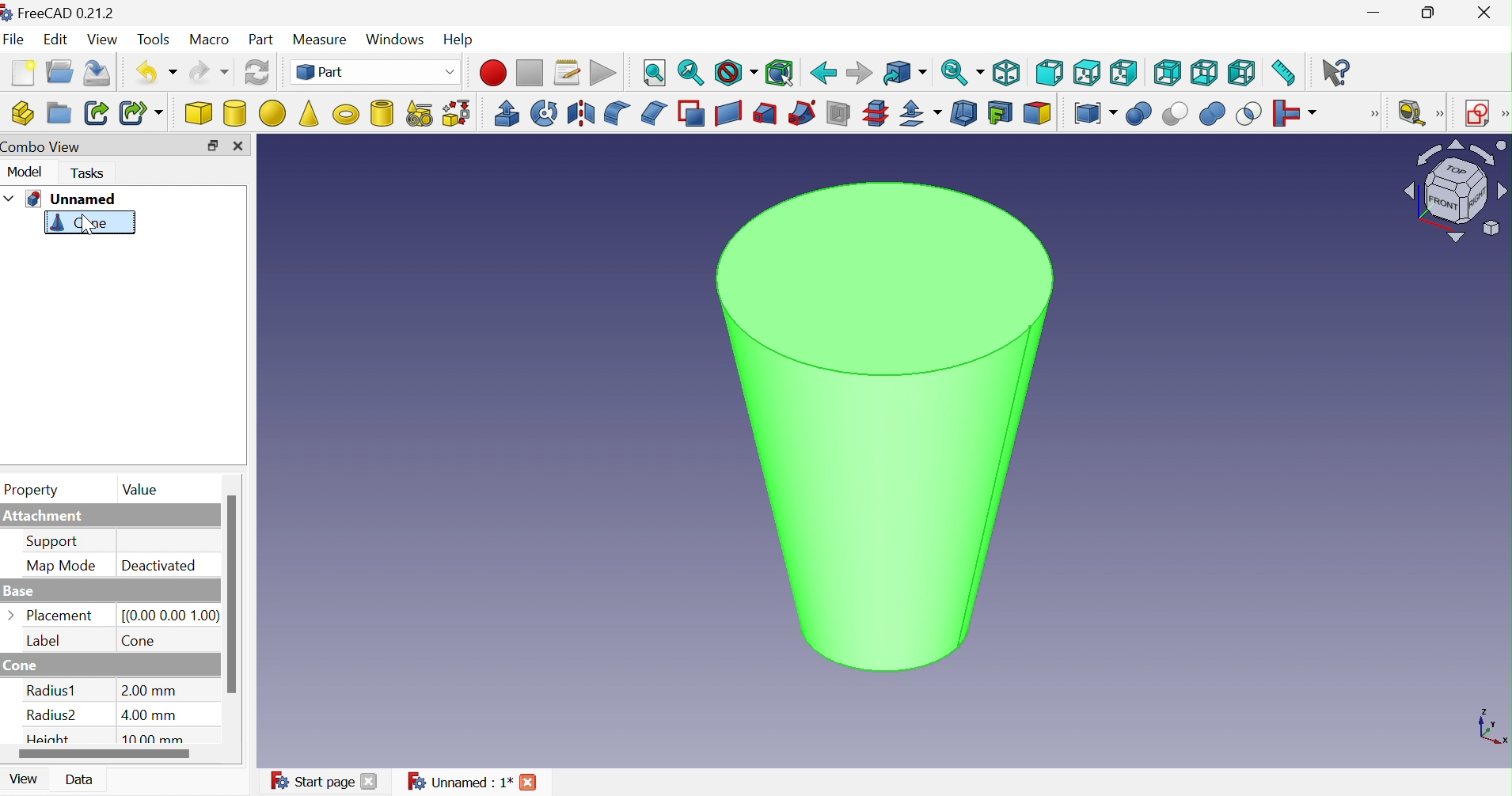 The image size is (1512, 796). I want to click on Base, so click(20, 593).